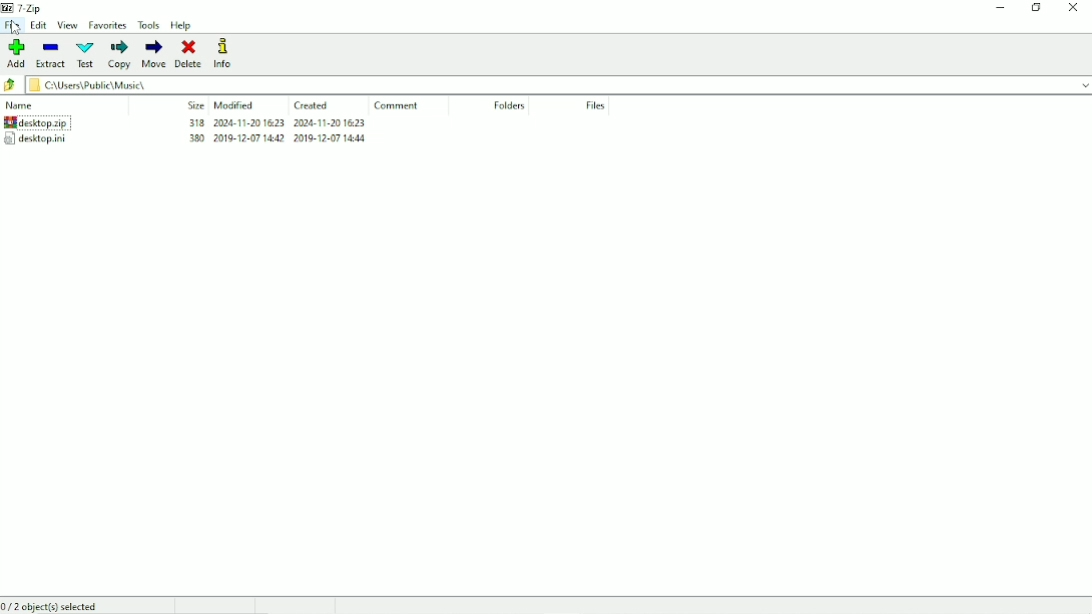  Describe the element at coordinates (11, 85) in the screenshot. I see `Back` at that location.